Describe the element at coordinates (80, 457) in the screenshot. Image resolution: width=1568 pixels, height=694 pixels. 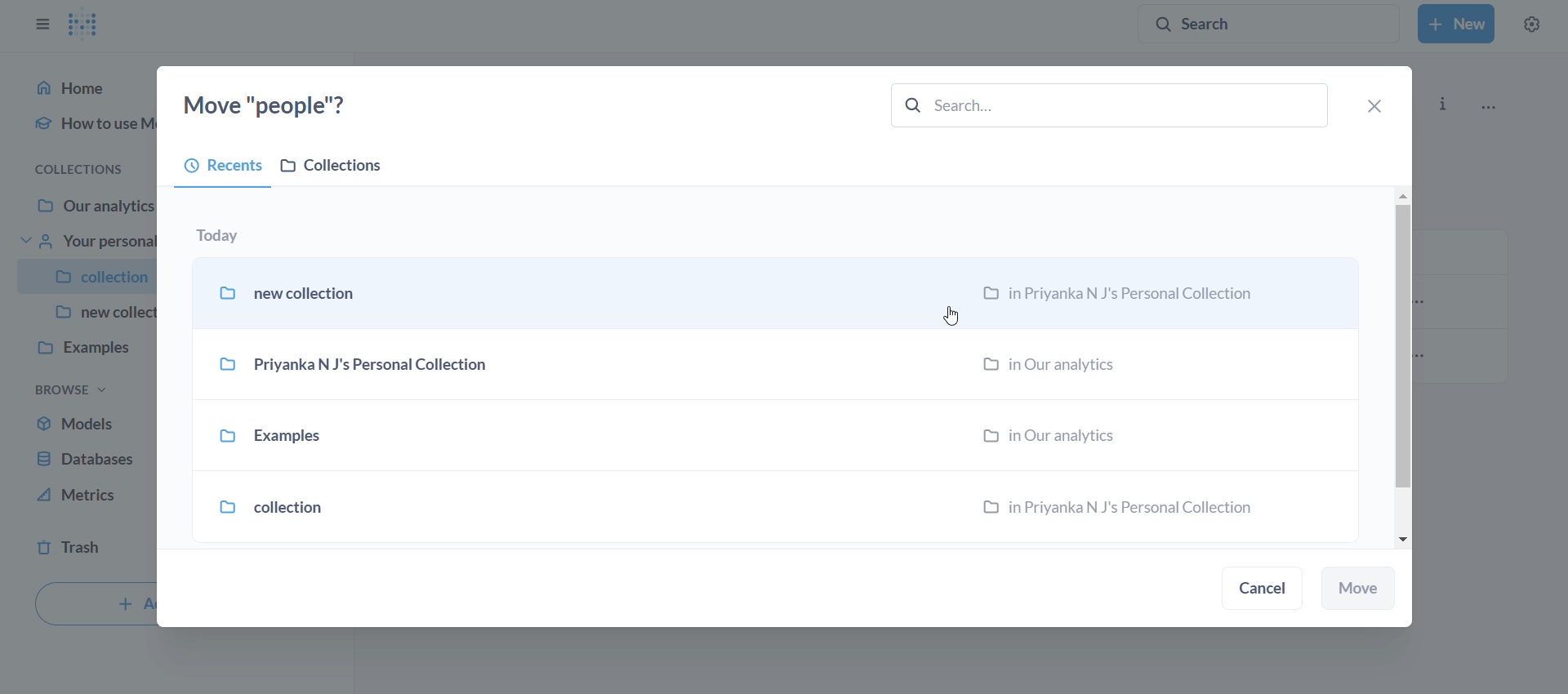
I see `database` at that location.